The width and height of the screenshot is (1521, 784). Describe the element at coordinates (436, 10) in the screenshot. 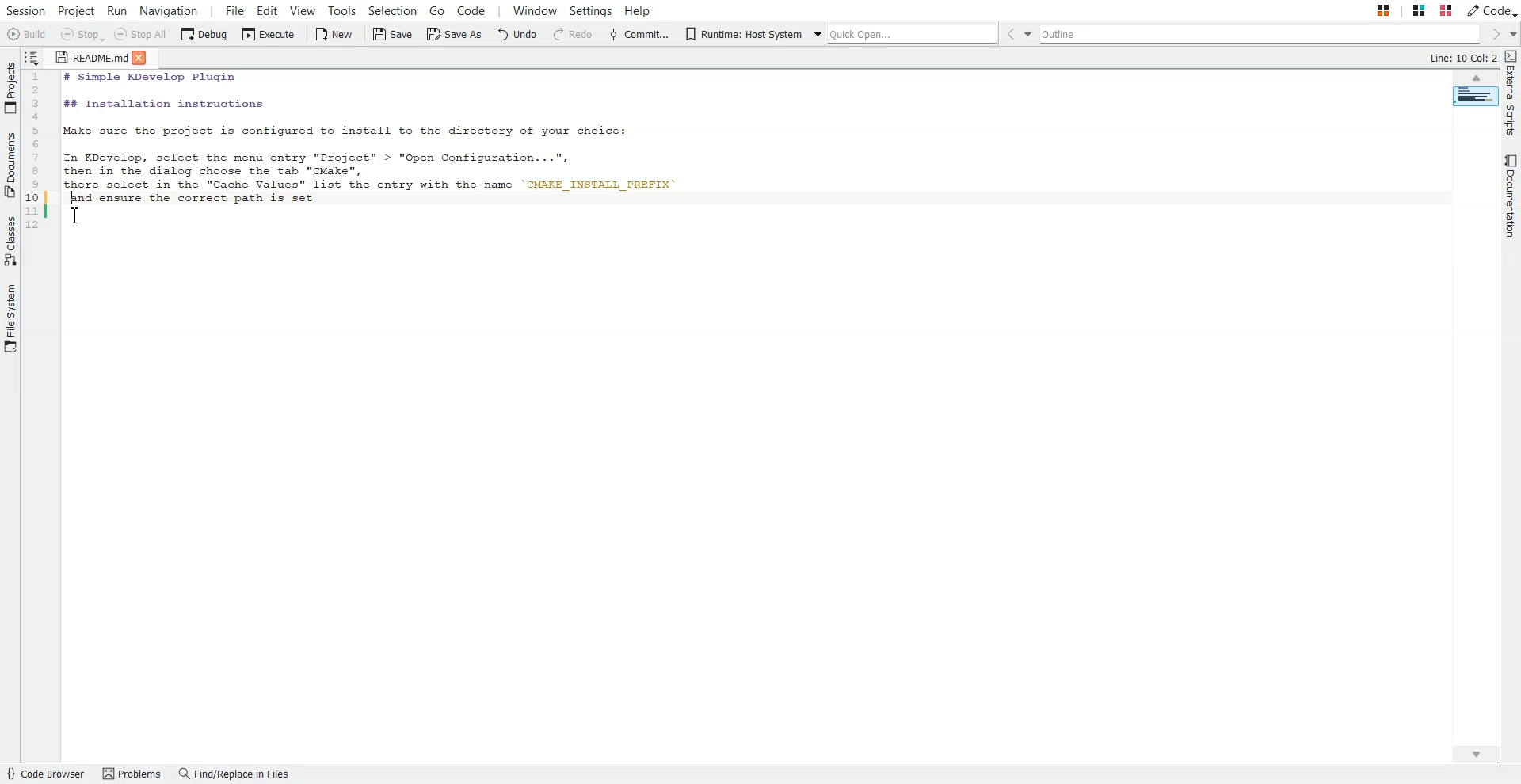

I see `Go` at that location.